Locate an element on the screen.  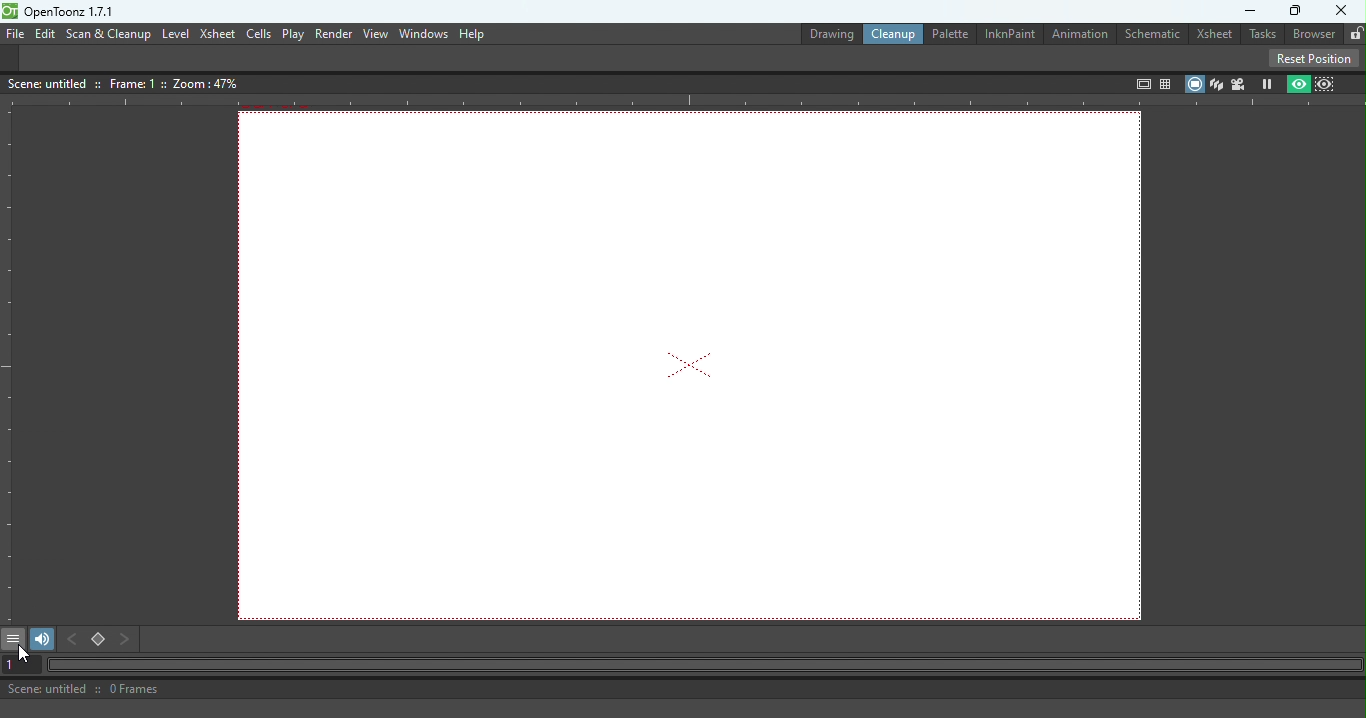
Status bar is located at coordinates (506, 689).